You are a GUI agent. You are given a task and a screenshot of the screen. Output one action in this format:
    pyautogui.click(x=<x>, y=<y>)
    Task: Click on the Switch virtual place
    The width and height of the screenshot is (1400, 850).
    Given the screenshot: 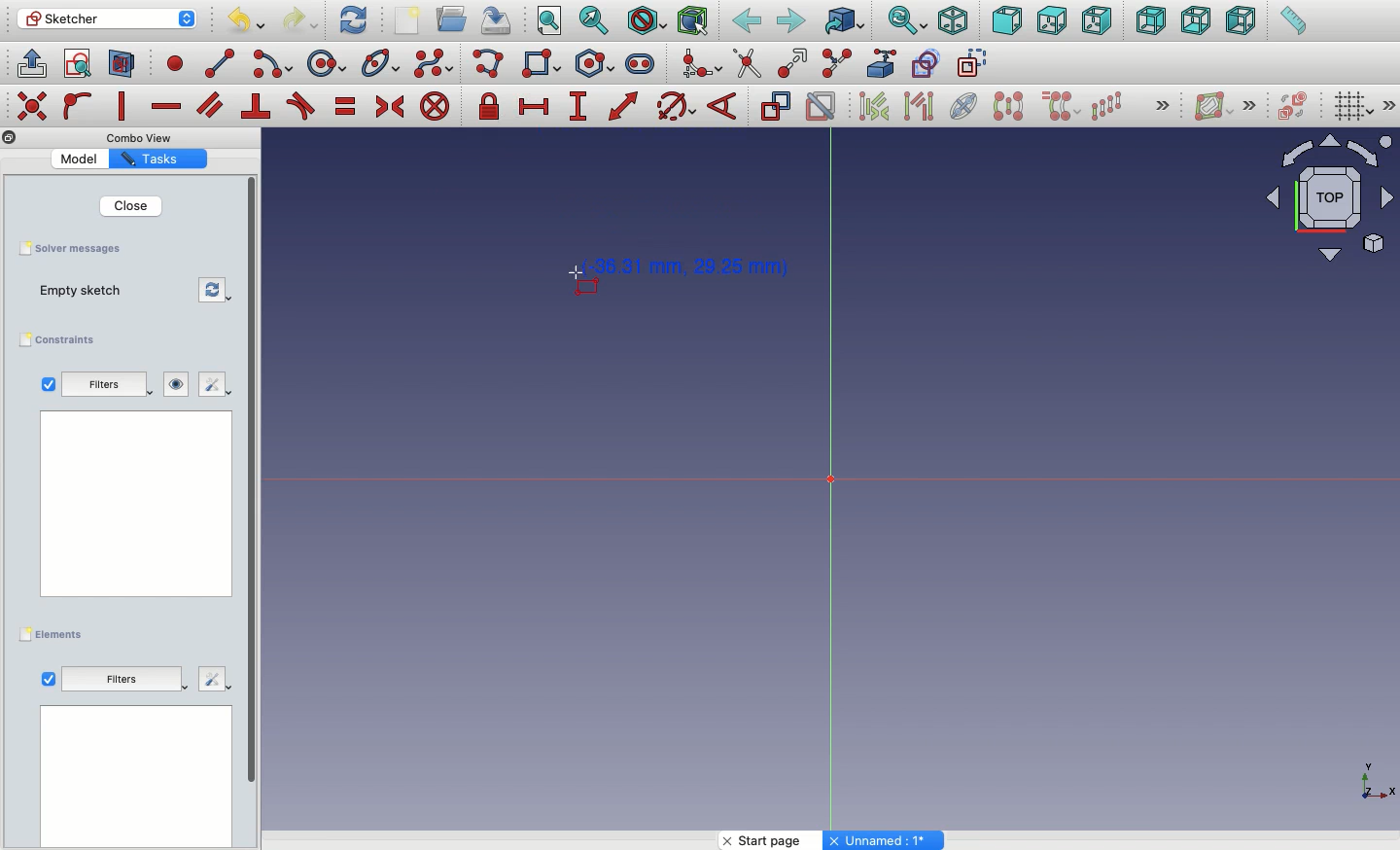 What is the action you would take?
    pyautogui.click(x=1289, y=108)
    